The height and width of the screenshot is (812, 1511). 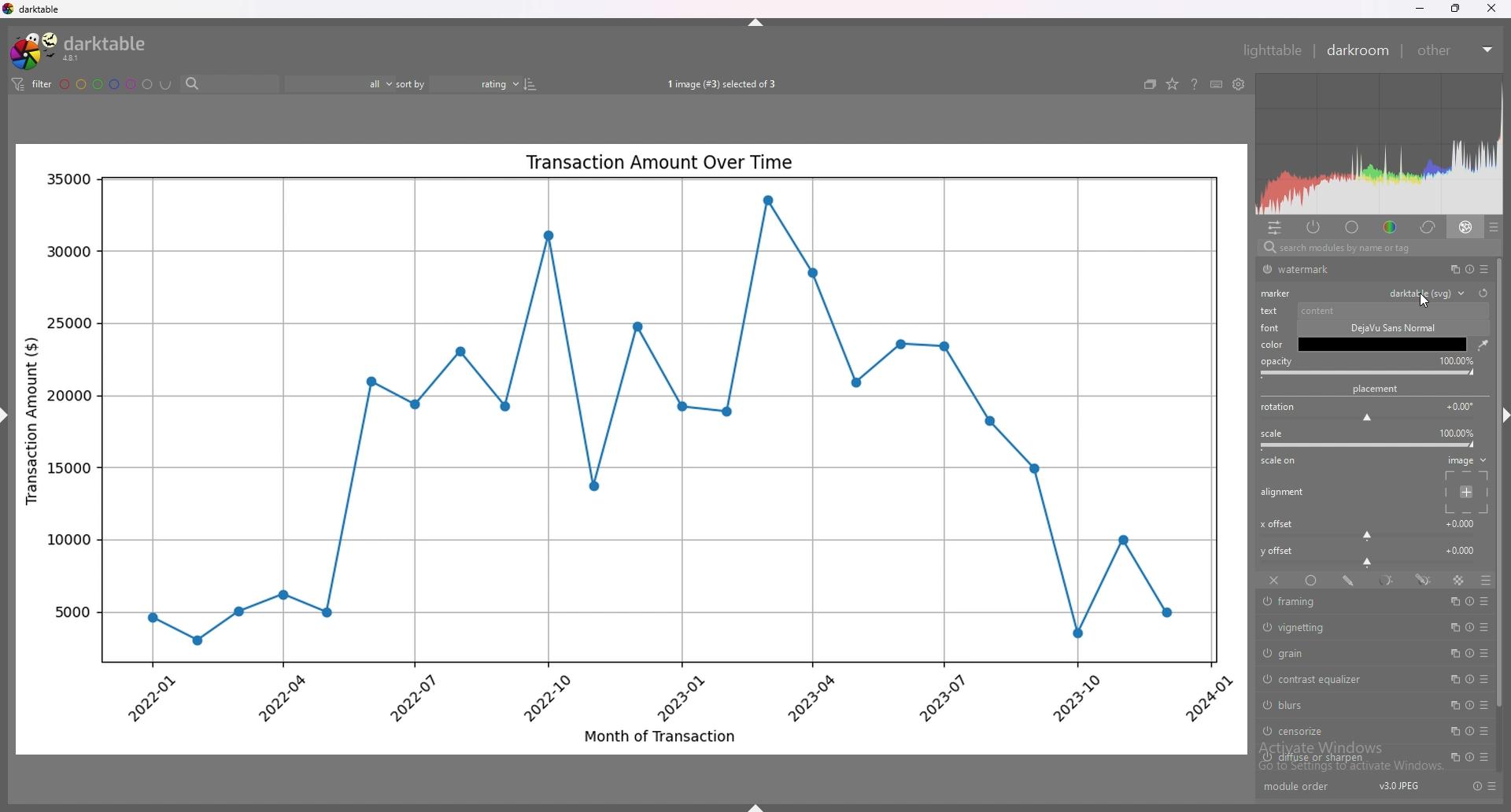 What do you see at coordinates (1265, 758) in the screenshot?
I see `switch off` at bounding box center [1265, 758].